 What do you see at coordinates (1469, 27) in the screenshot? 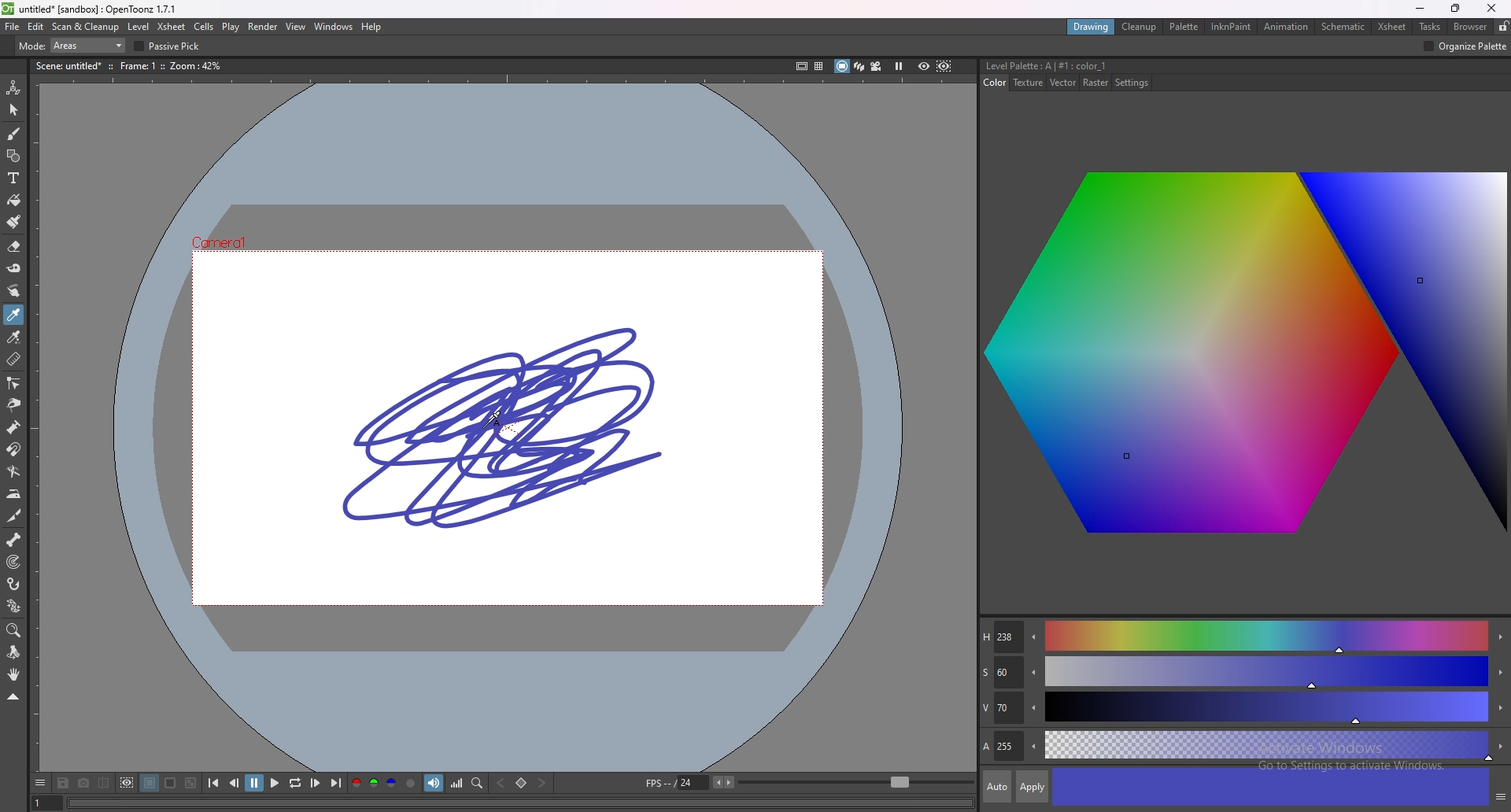
I see `browser` at bounding box center [1469, 27].